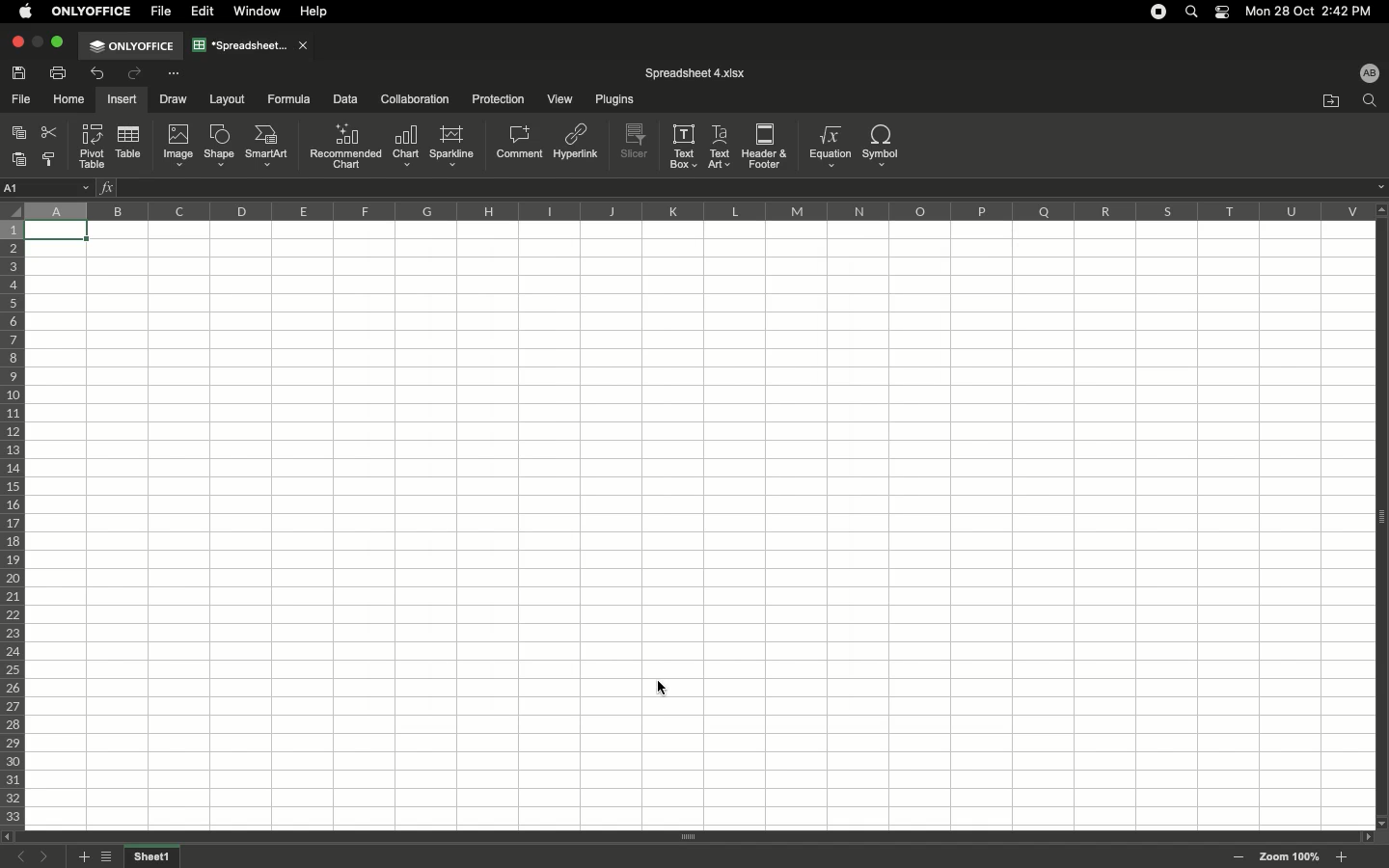  I want to click on Collaboration, so click(416, 100).